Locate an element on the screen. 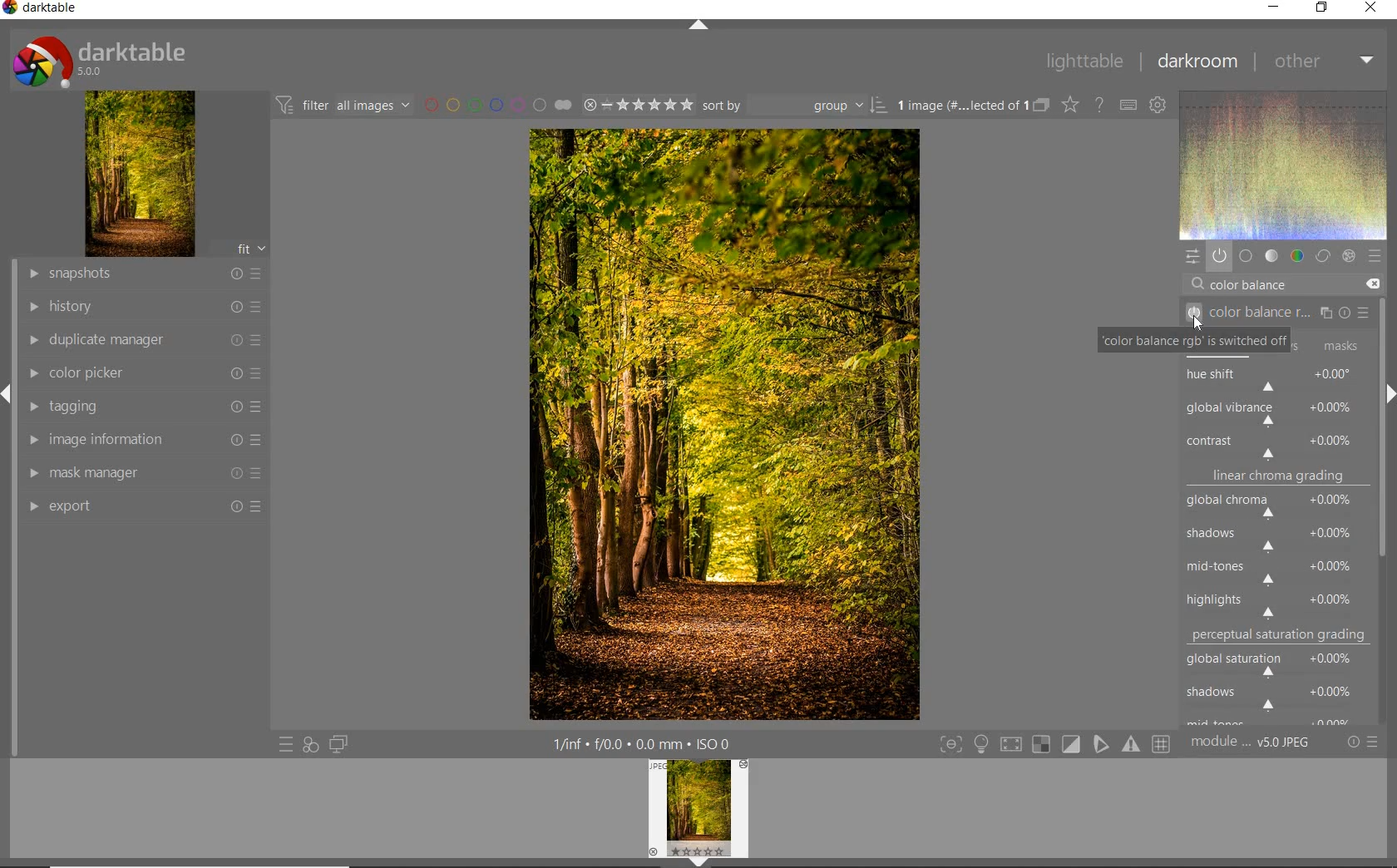 The width and height of the screenshot is (1397, 868). selected image is located at coordinates (723, 425).